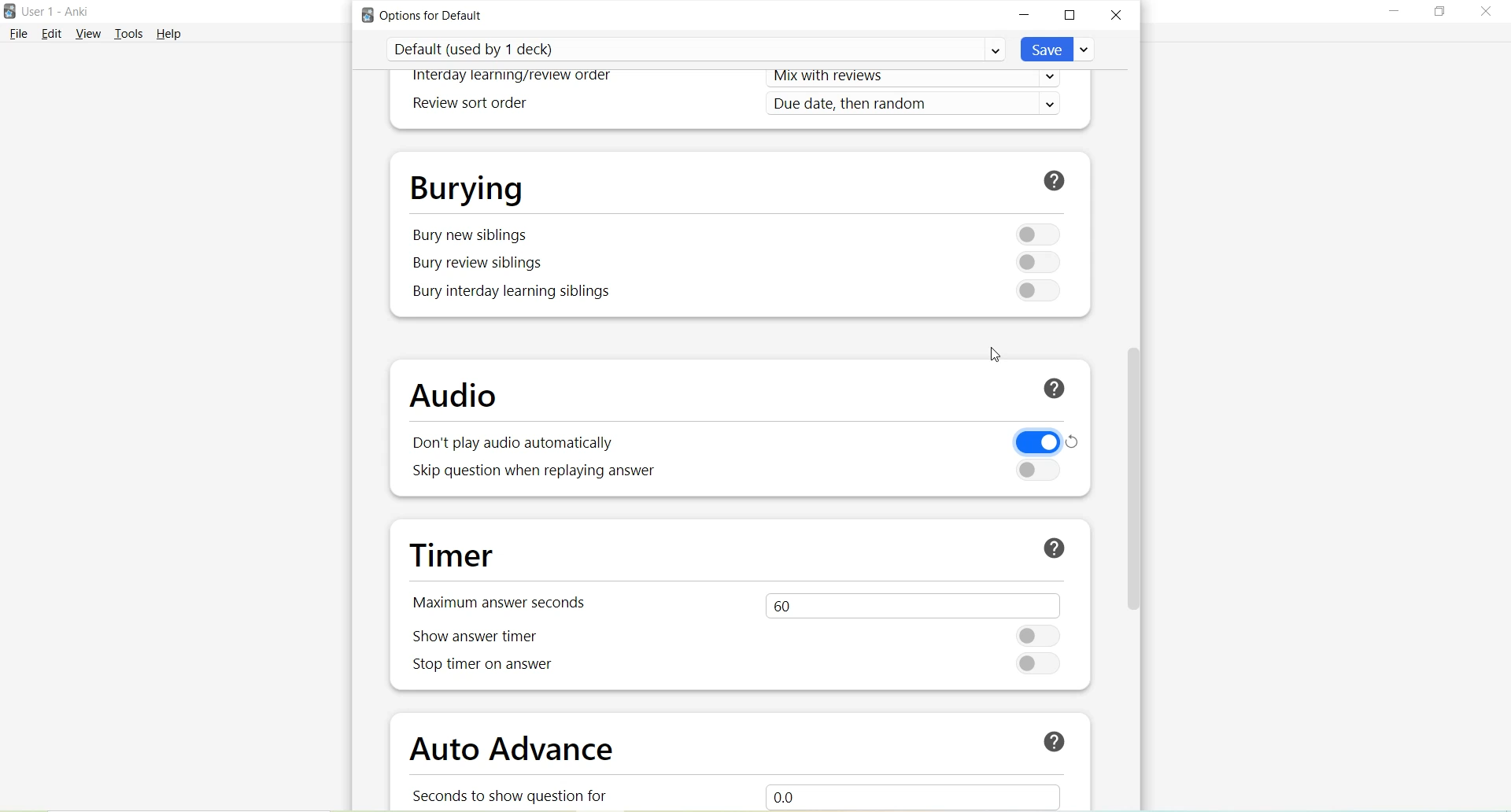 This screenshot has height=812, width=1511. I want to click on 60, so click(909, 603).